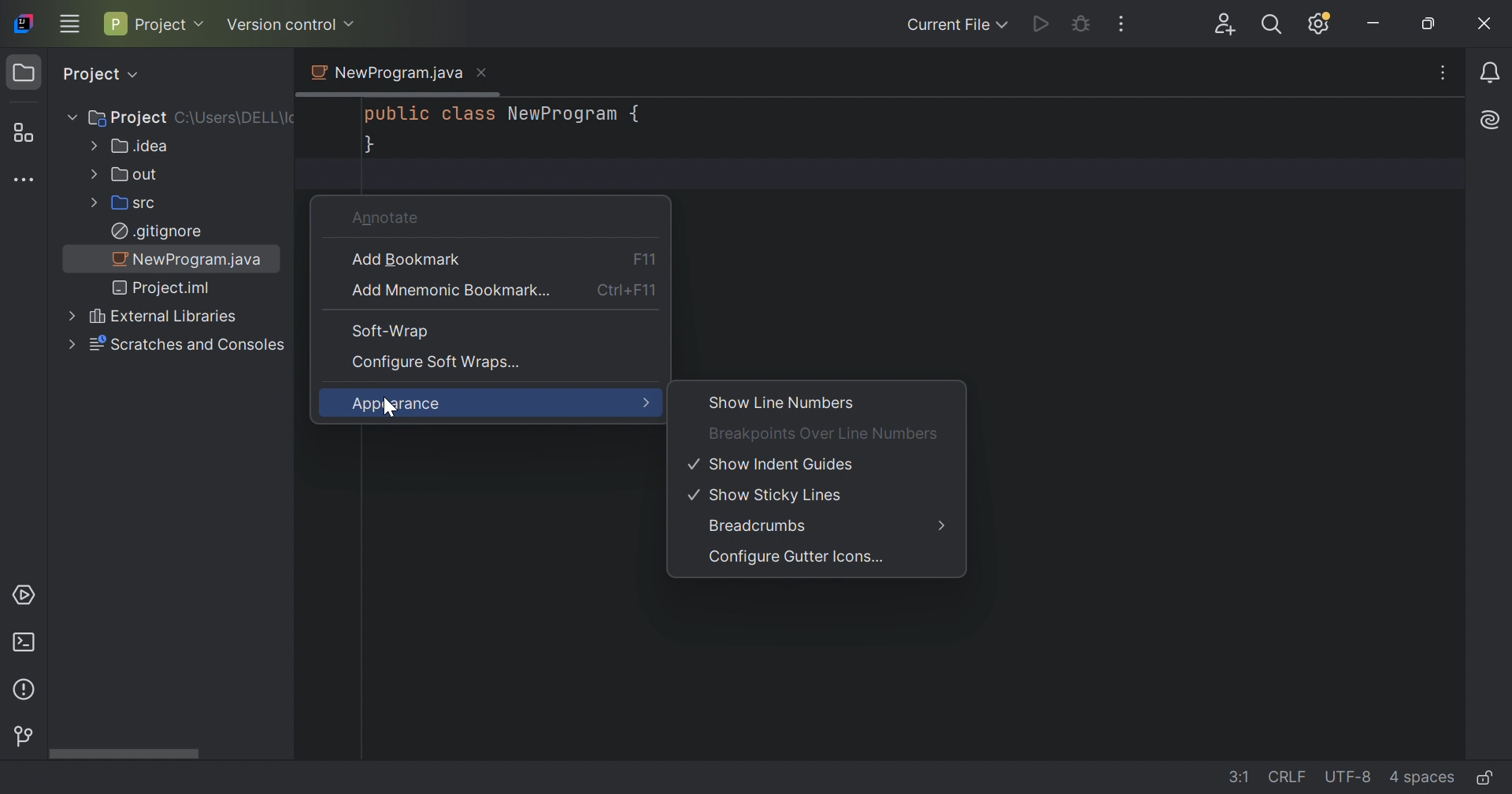  I want to click on , so click(1443, 74).